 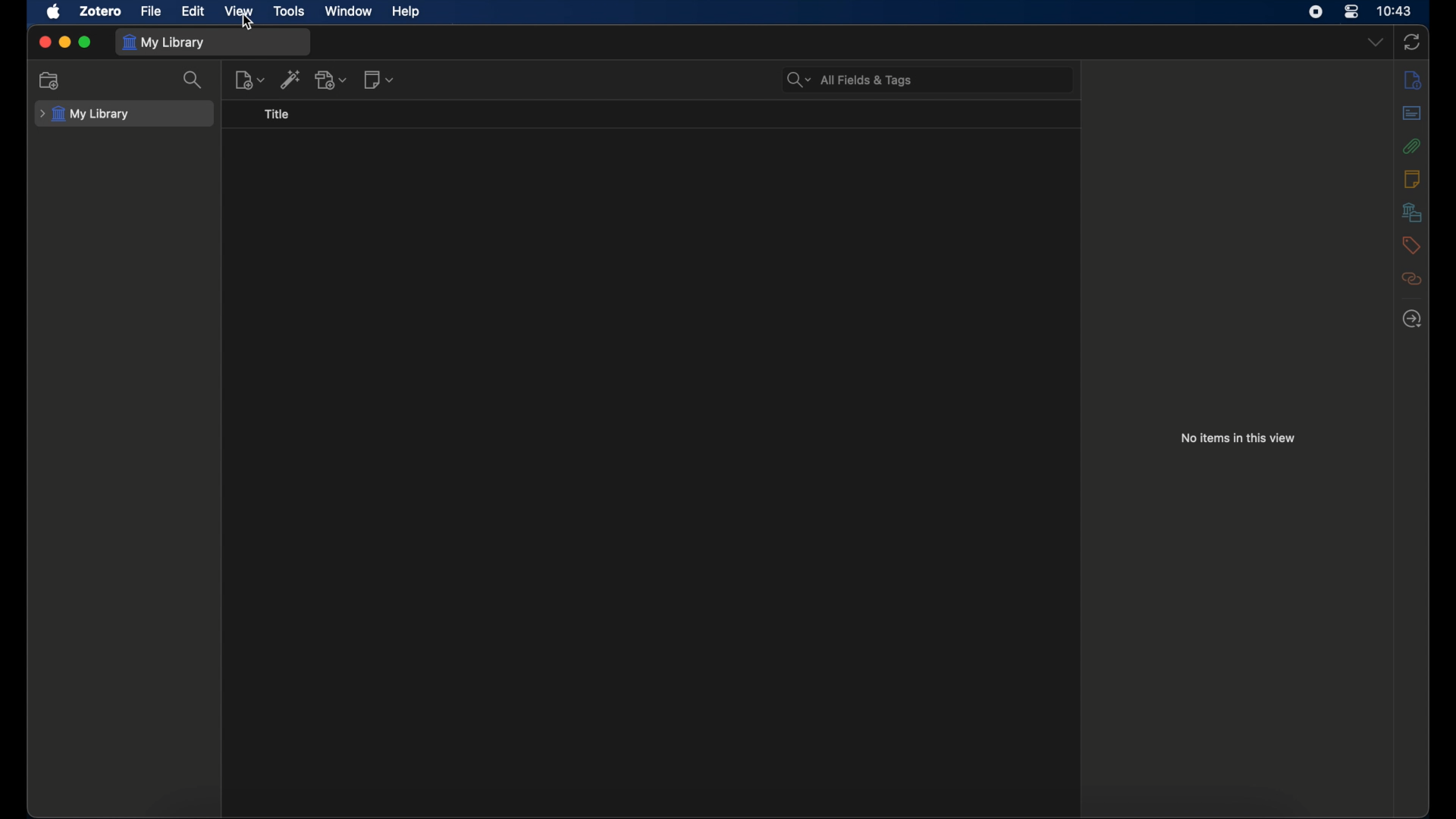 What do you see at coordinates (347, 10) in the screenshot?
I see `window` at bounding box center [347, 10].